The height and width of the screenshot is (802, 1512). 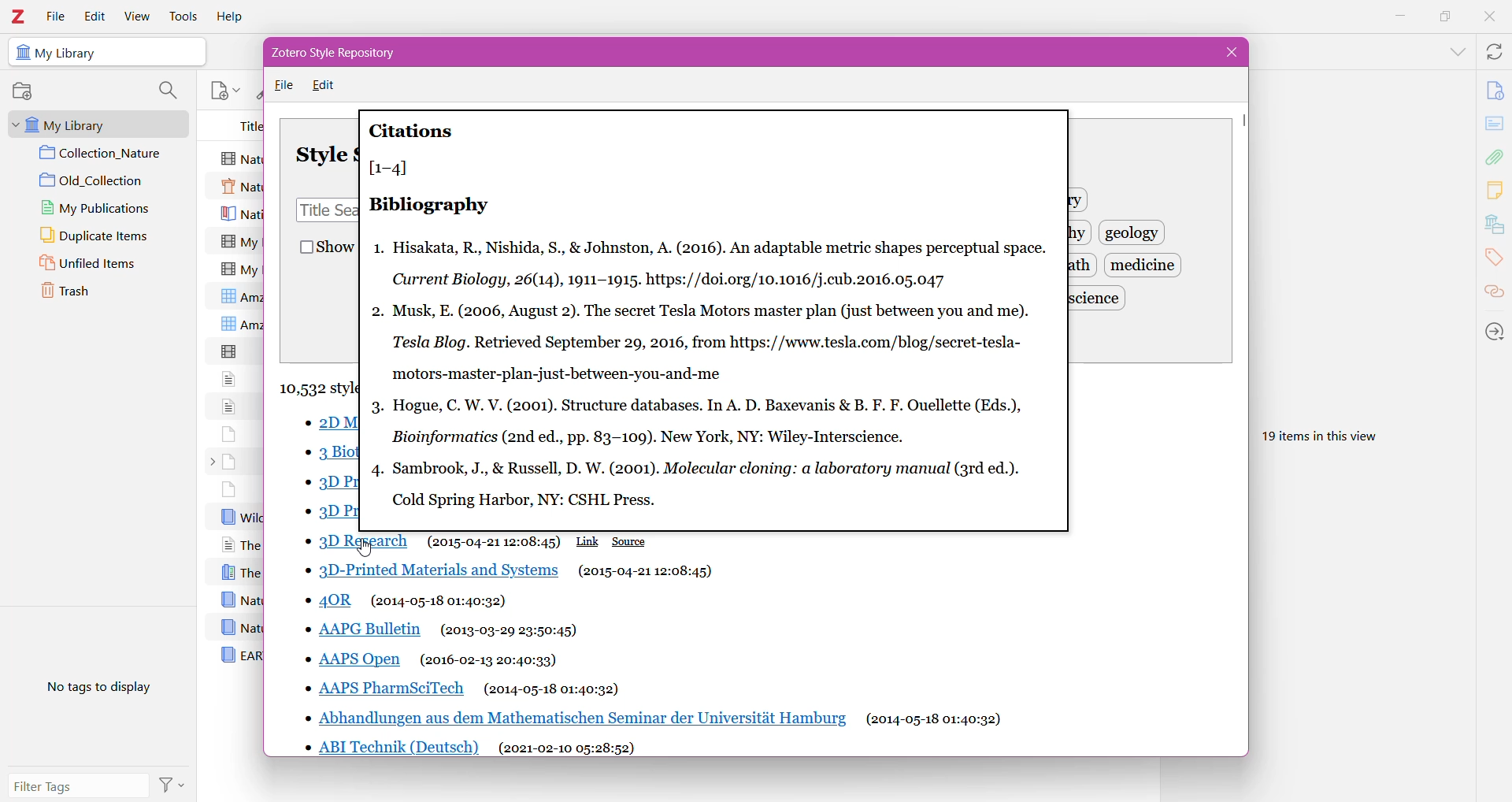 What do you see at coordinates (231, 378) in the screenshot?
I see `file without title` at bounding box center [231, 378].